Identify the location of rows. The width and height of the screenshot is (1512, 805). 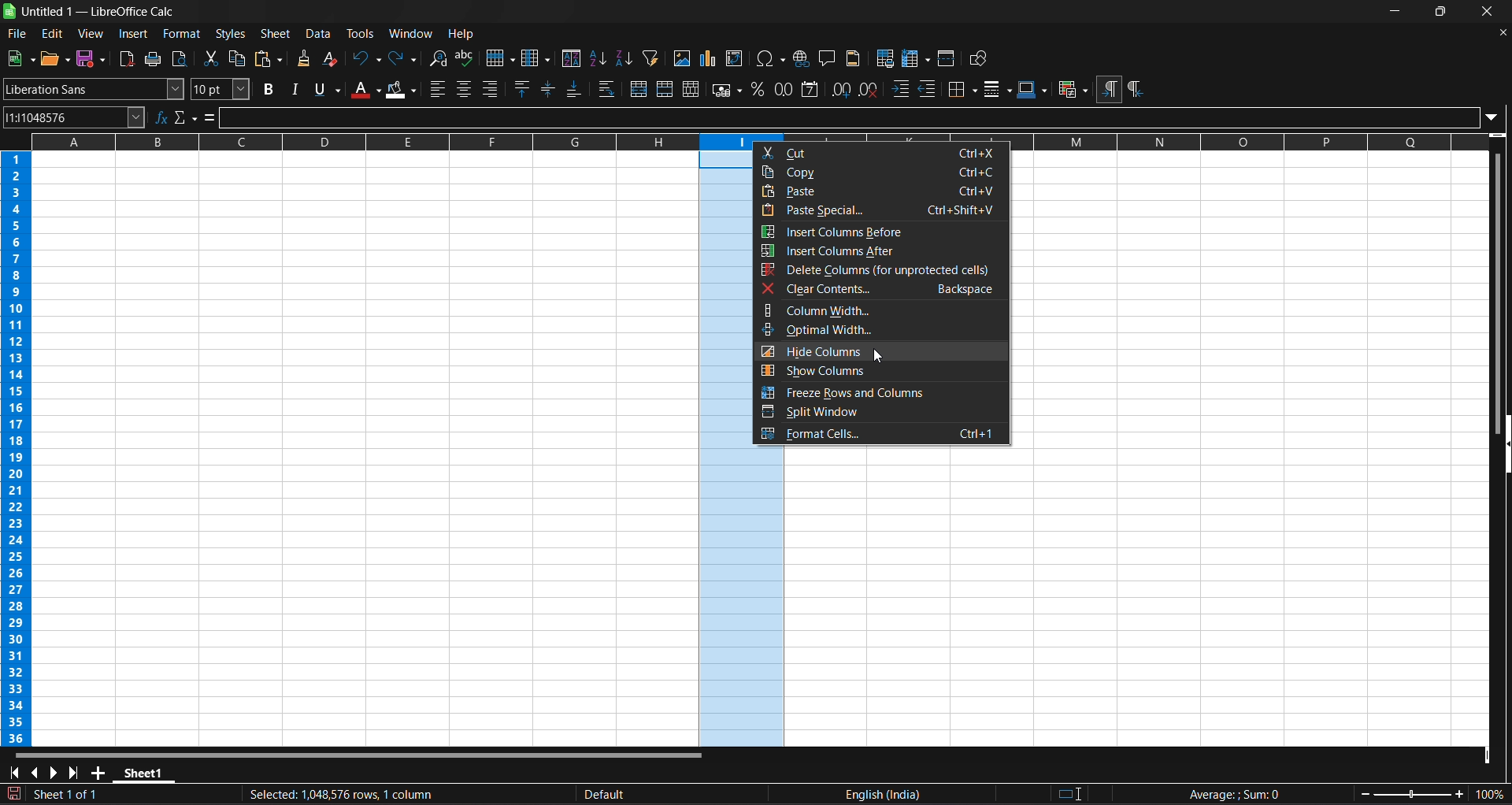
(748, 139).